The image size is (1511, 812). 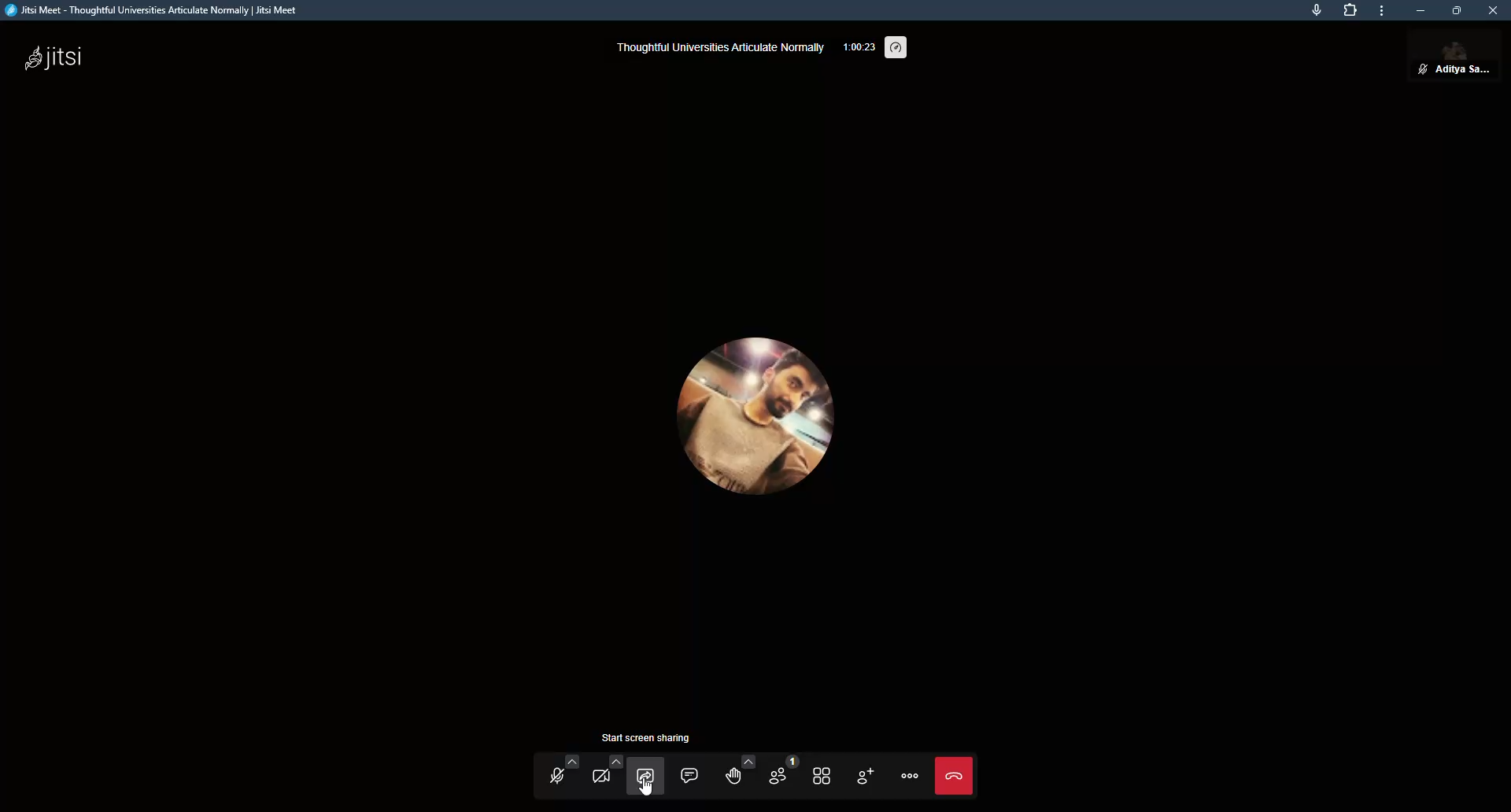 I want to click on raise hand, so click(x=734, y=771).